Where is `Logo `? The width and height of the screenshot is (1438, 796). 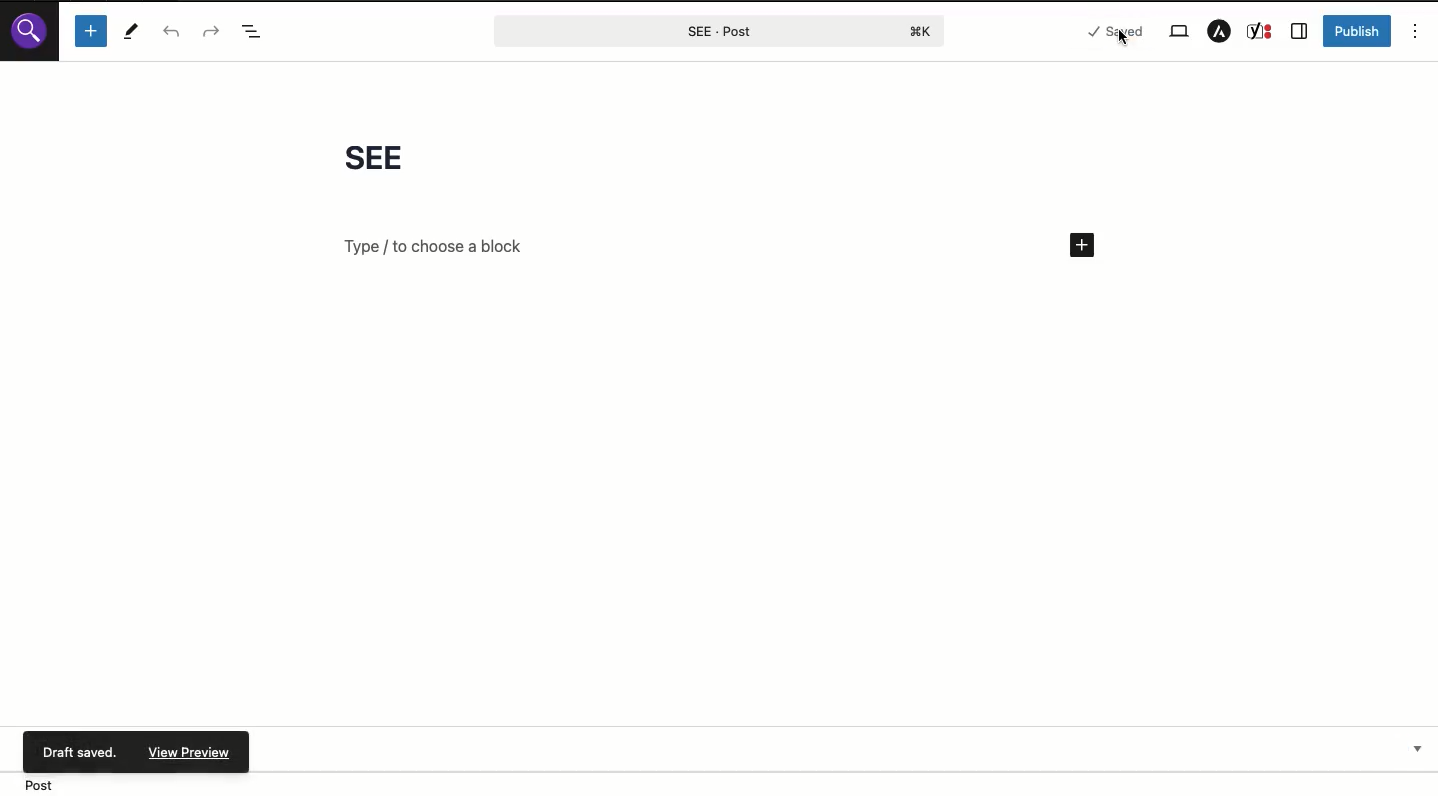
Logo  is located at coordinates (32, 32).